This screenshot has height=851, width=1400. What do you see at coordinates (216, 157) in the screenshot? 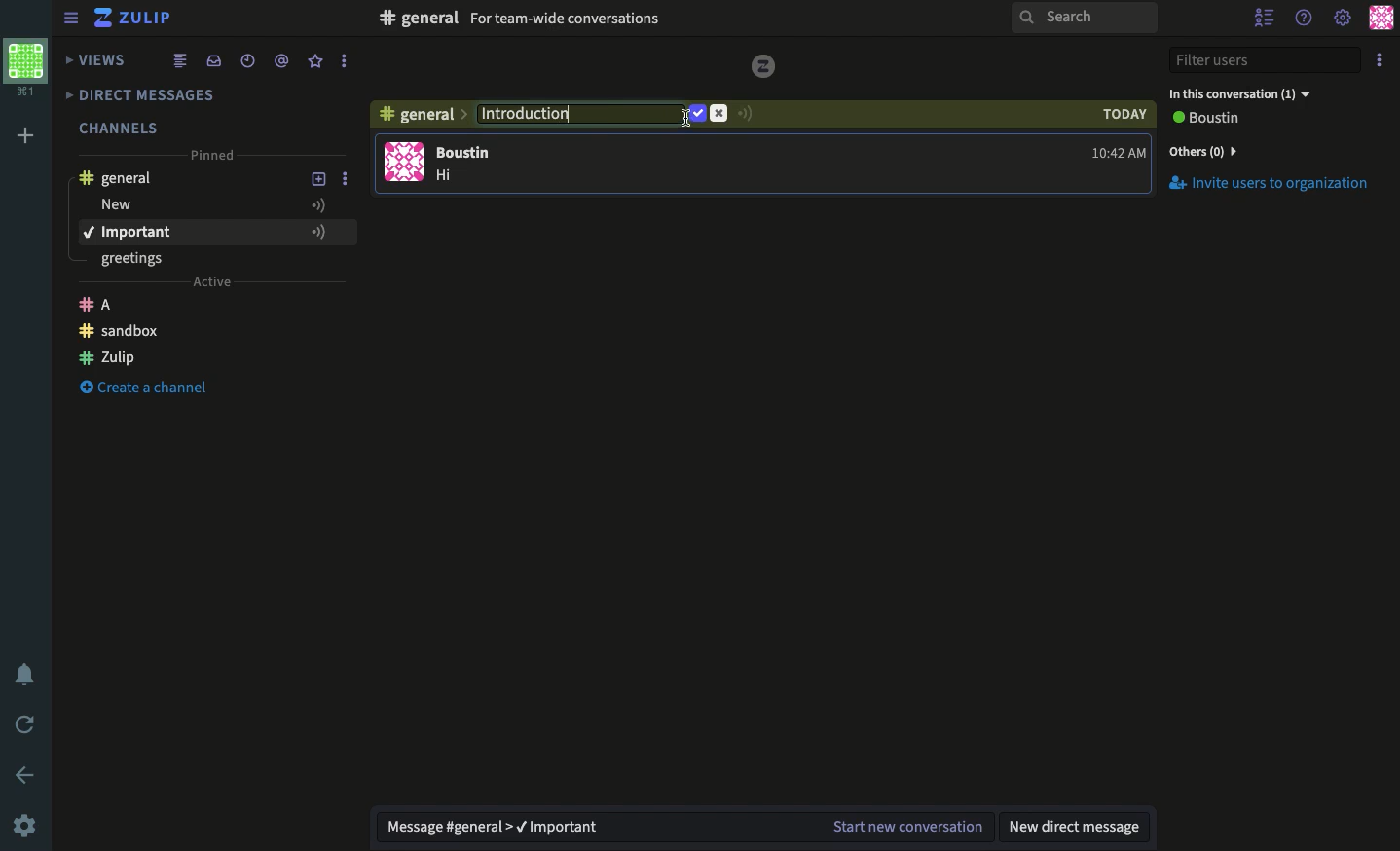
I see `Pinned` at bounding box center [216, 157].